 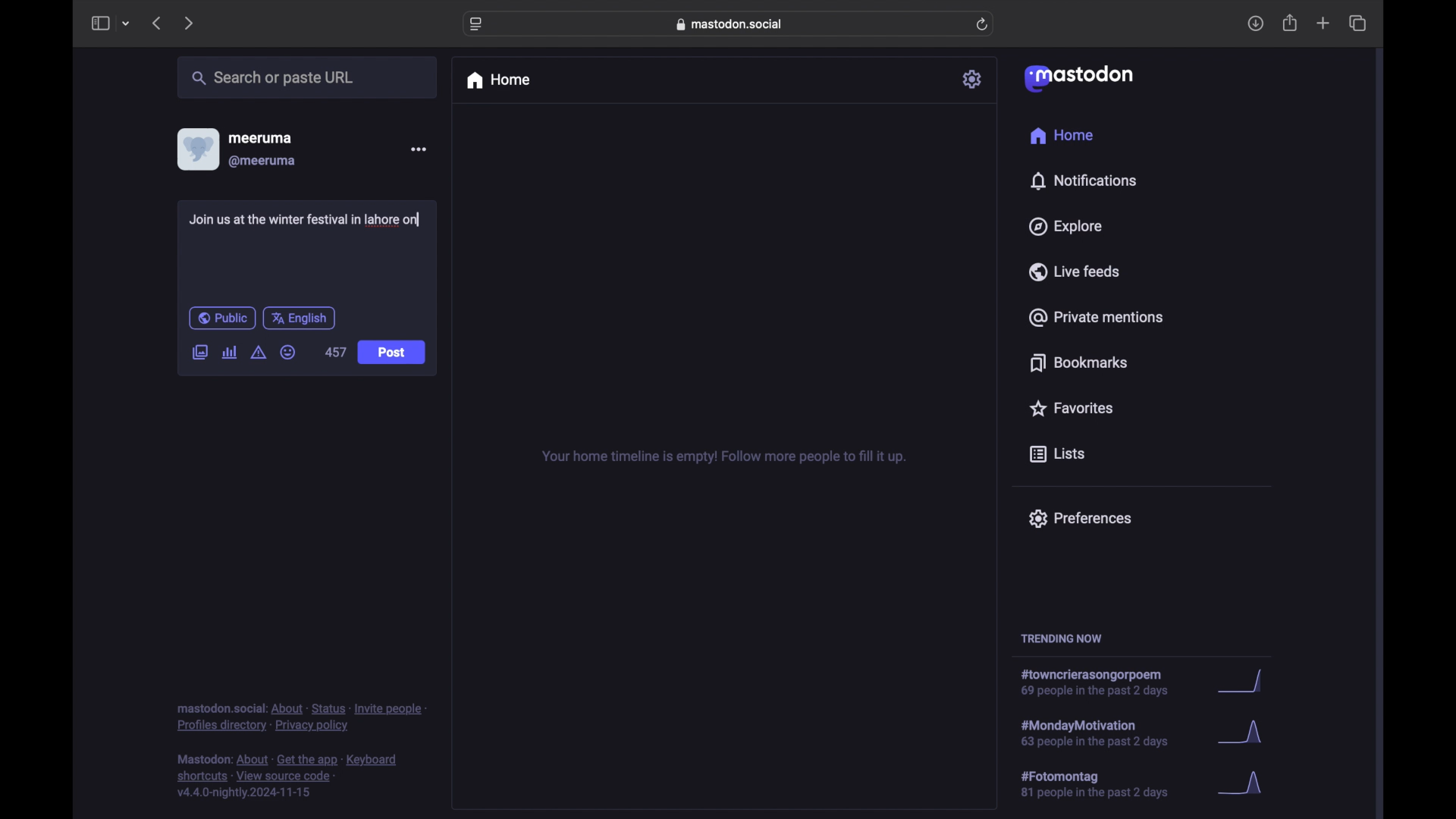 I want to click on notifications, so click(x=1083, y=180).